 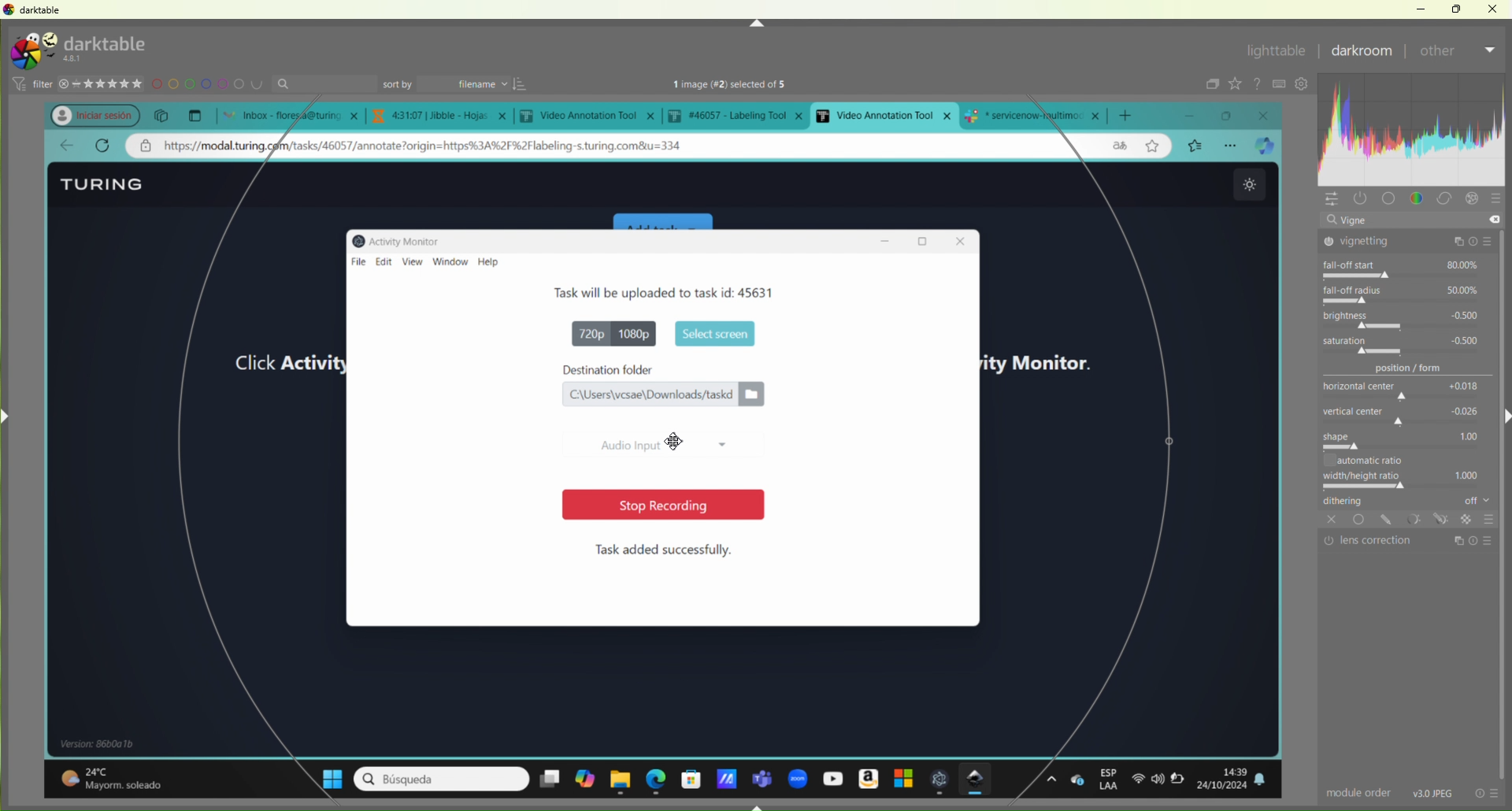 What do you see at coordinates (1410, 319) in the screenshot?
I see `brightness` at bounding box center [1410, 319].